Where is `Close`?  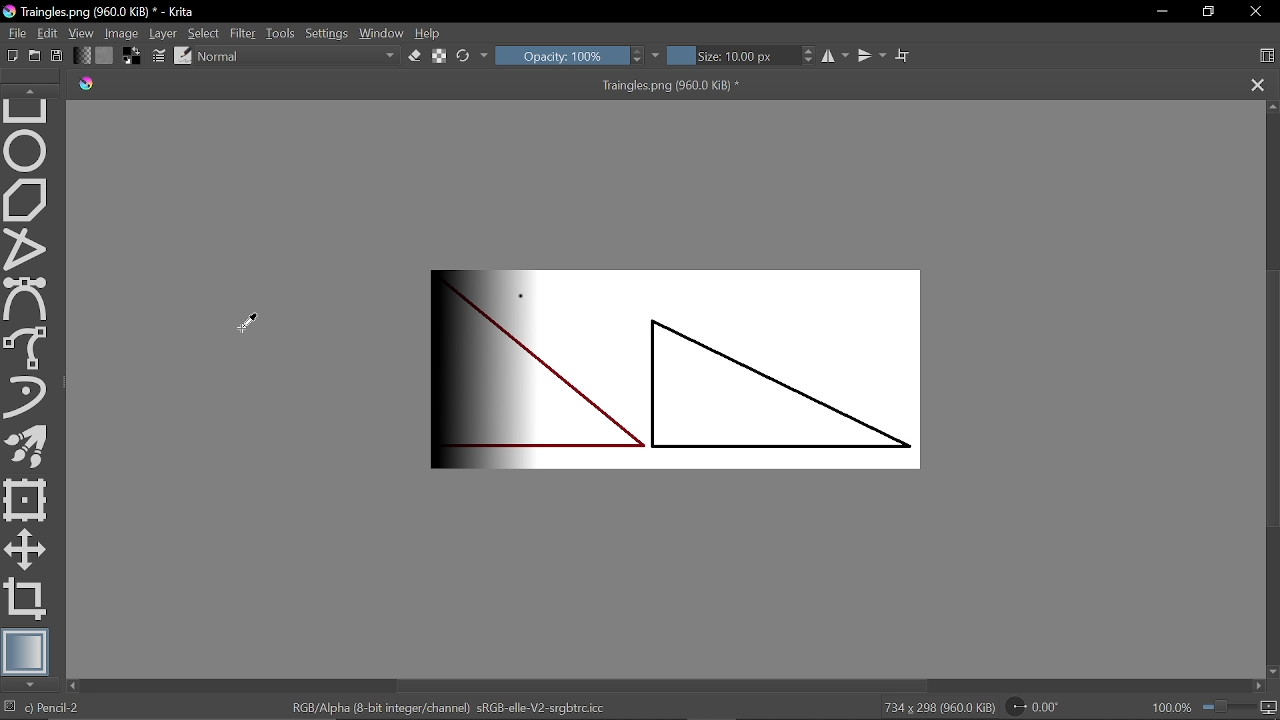 Close is located at coordinates (1255, 14).